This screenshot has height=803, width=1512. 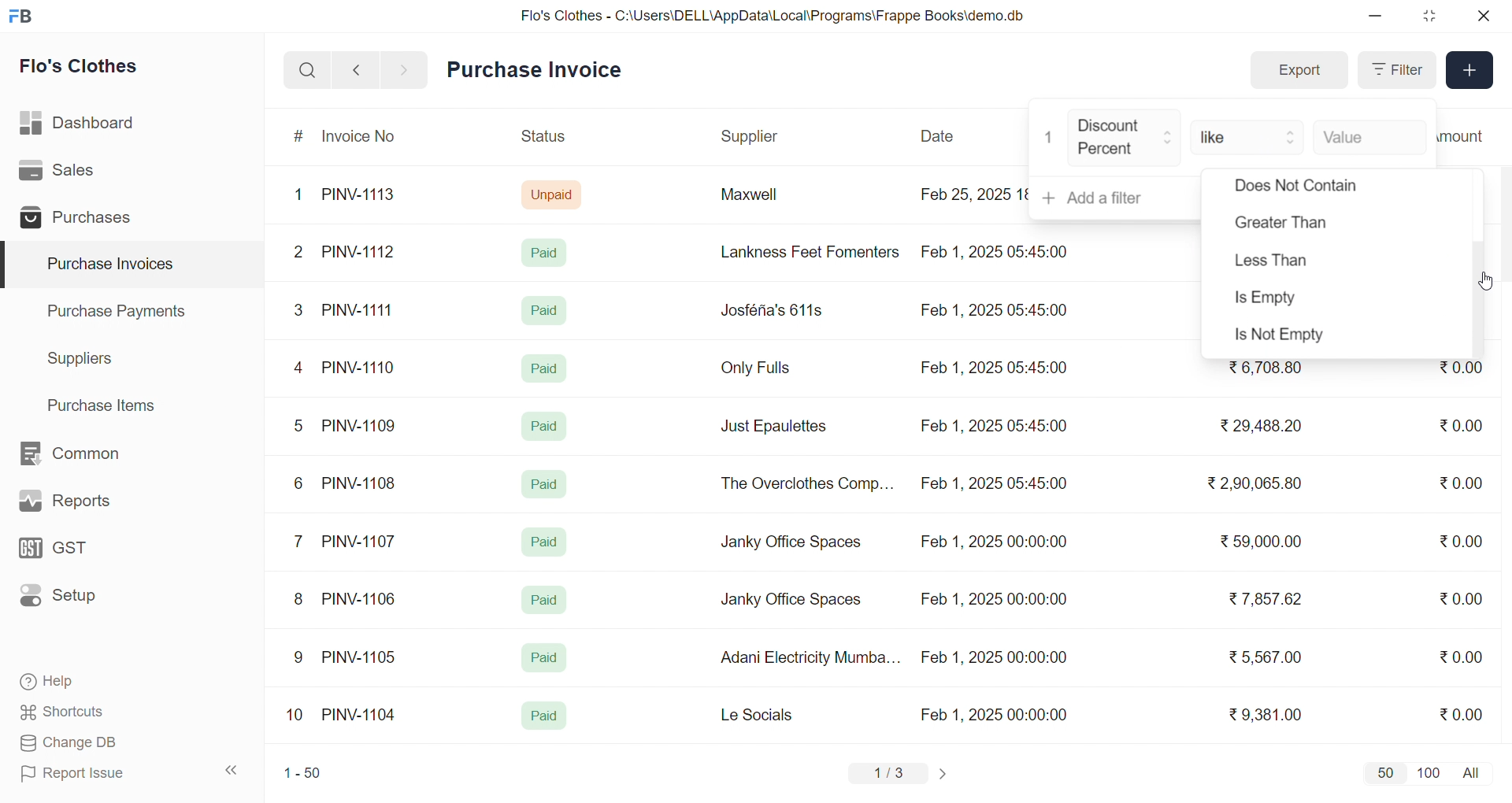 I want to click on ₹ 2,90,065.80, so click(x=1256, y=484).